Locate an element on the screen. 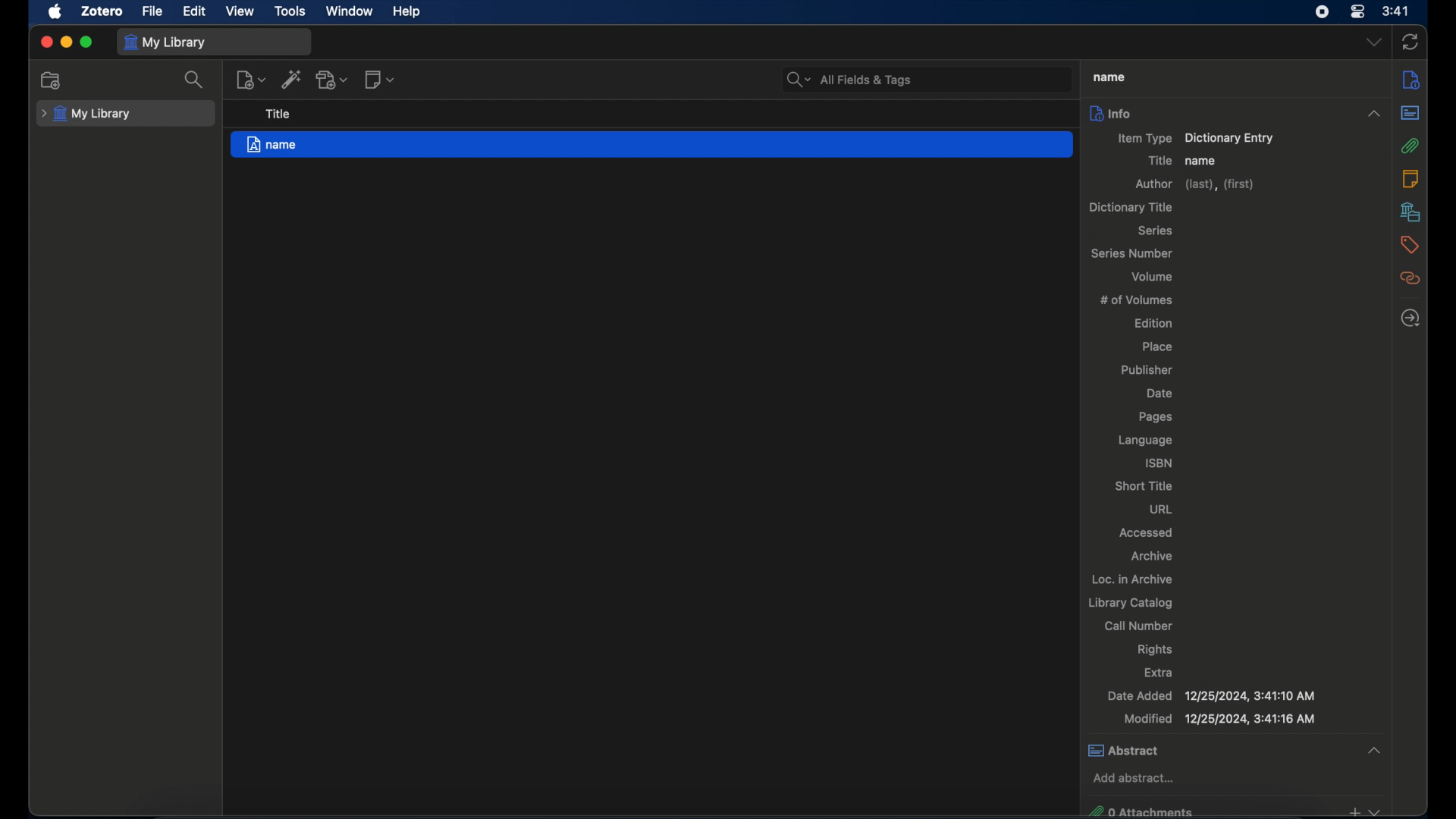  abstract is located at coordinates (1410, 113).